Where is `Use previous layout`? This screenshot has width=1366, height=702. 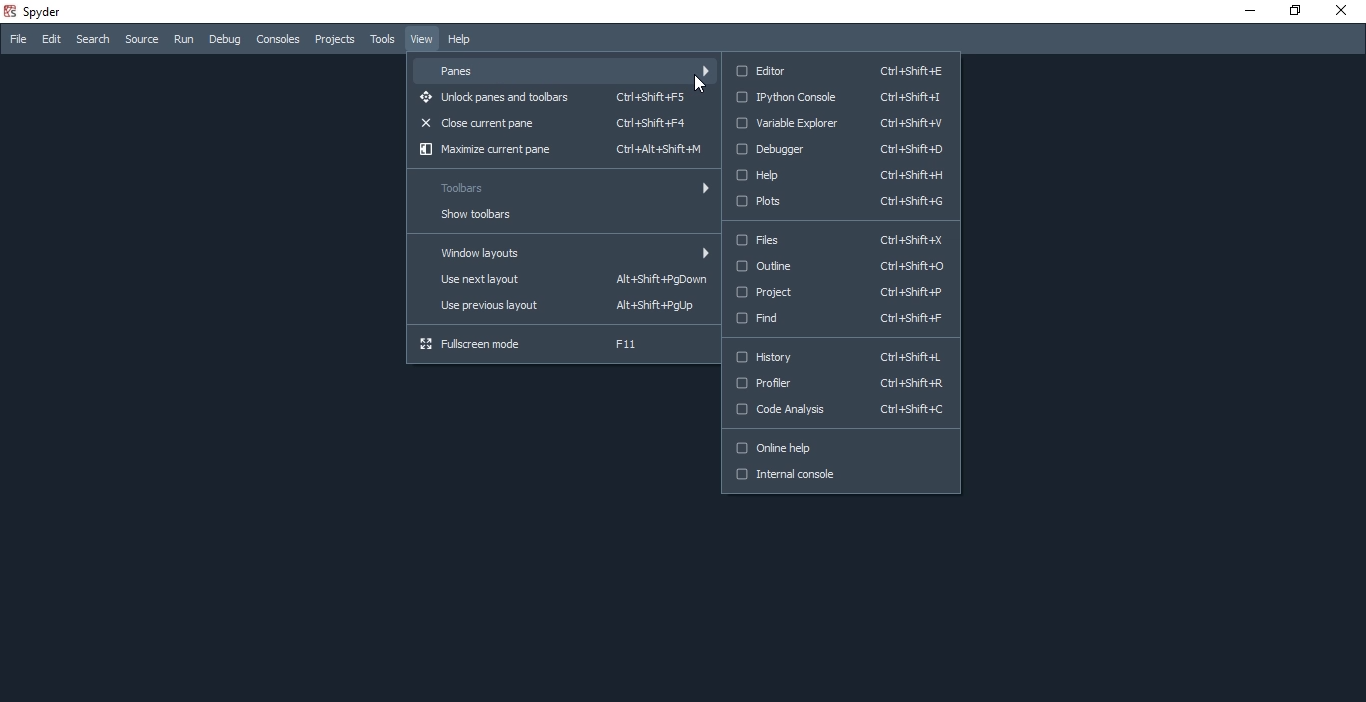 Use previous layout is located at coordinates (562, 307).